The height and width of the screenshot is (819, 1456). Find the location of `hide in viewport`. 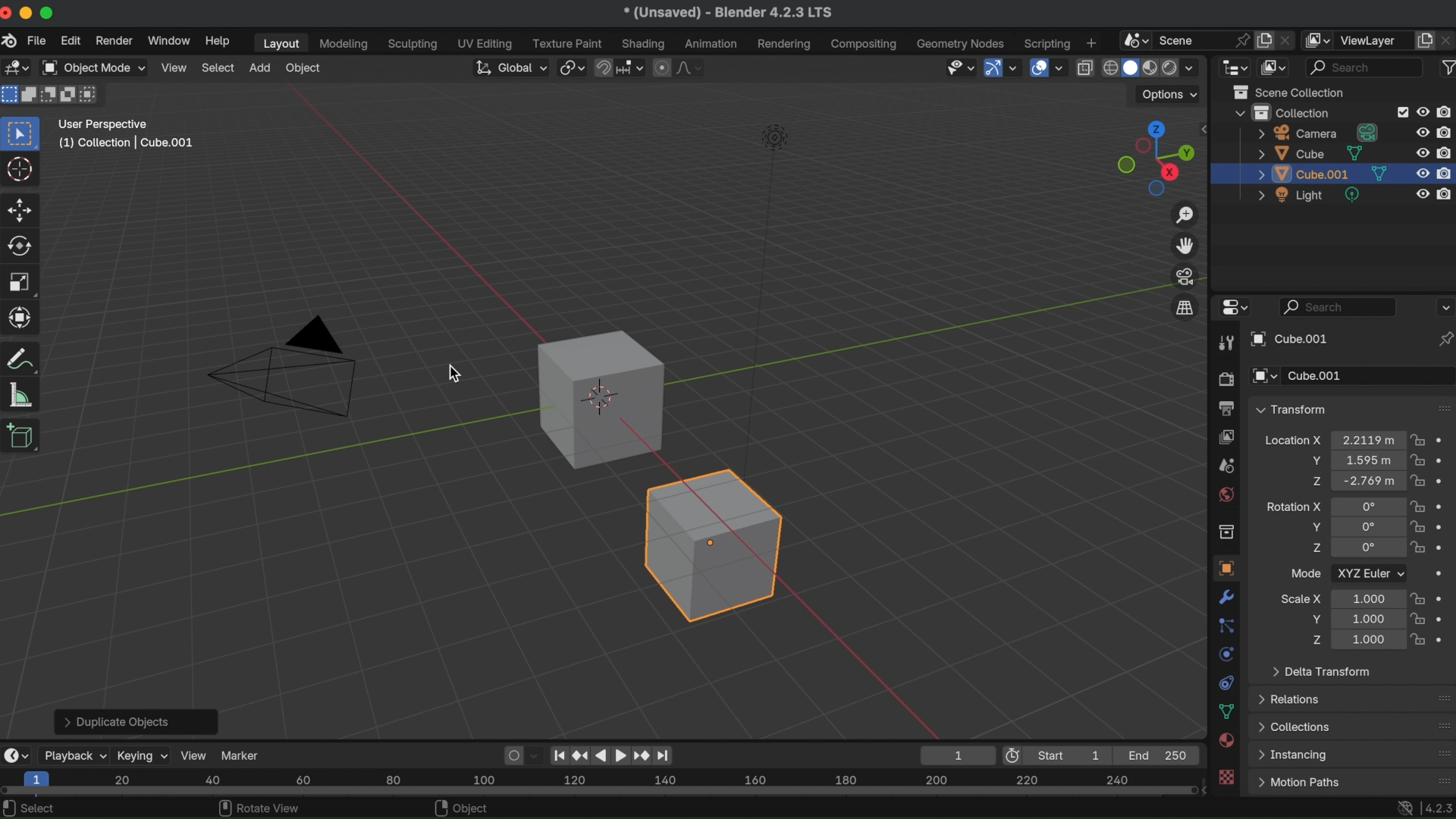

hide in viewport is located at coordinates (1423, 174).